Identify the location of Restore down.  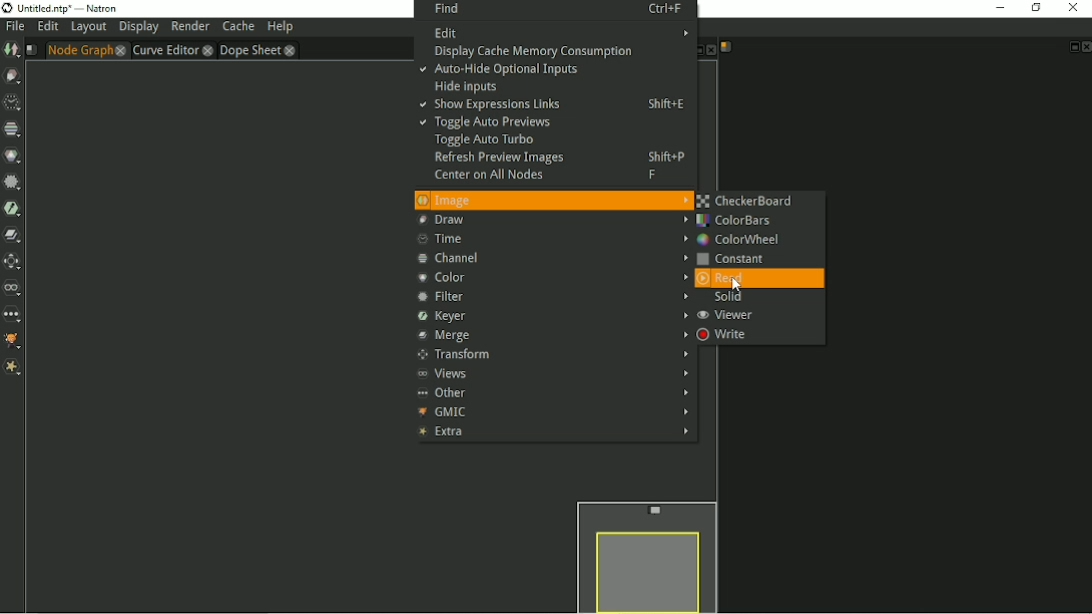
(1034, 8).